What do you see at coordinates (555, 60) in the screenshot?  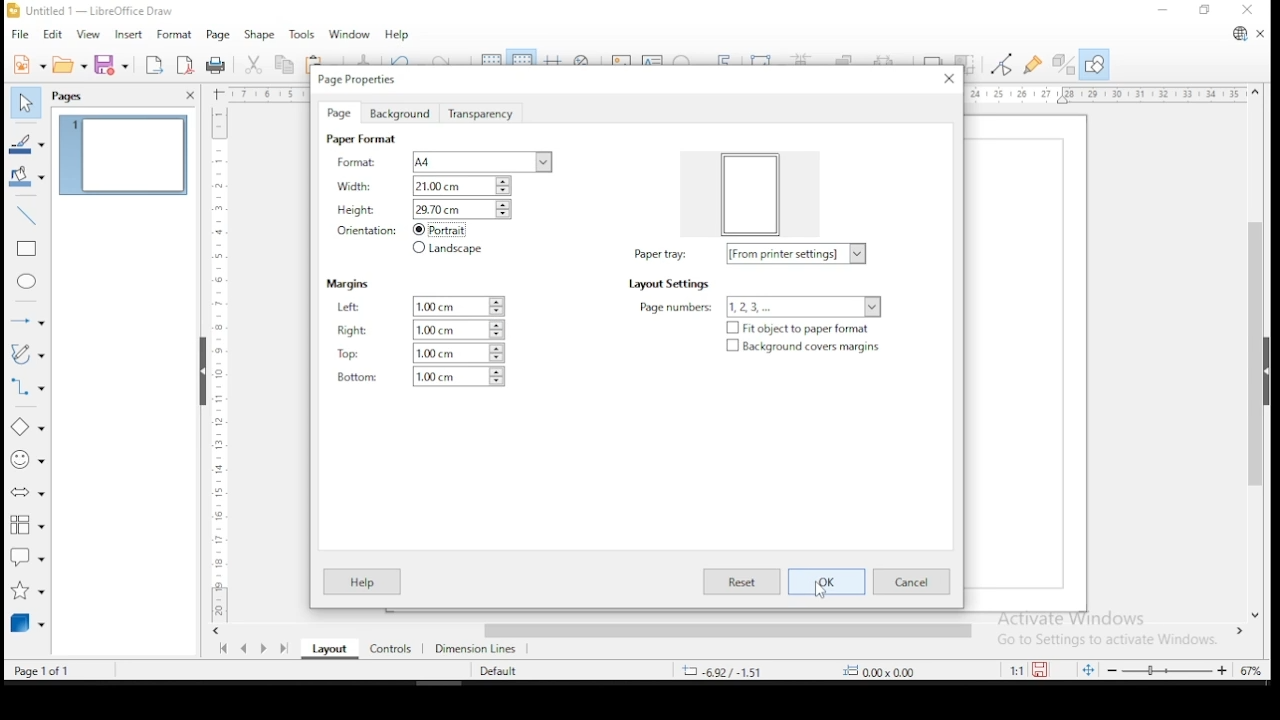 I see `show helplines when moving` at bounding box center [555, 60].